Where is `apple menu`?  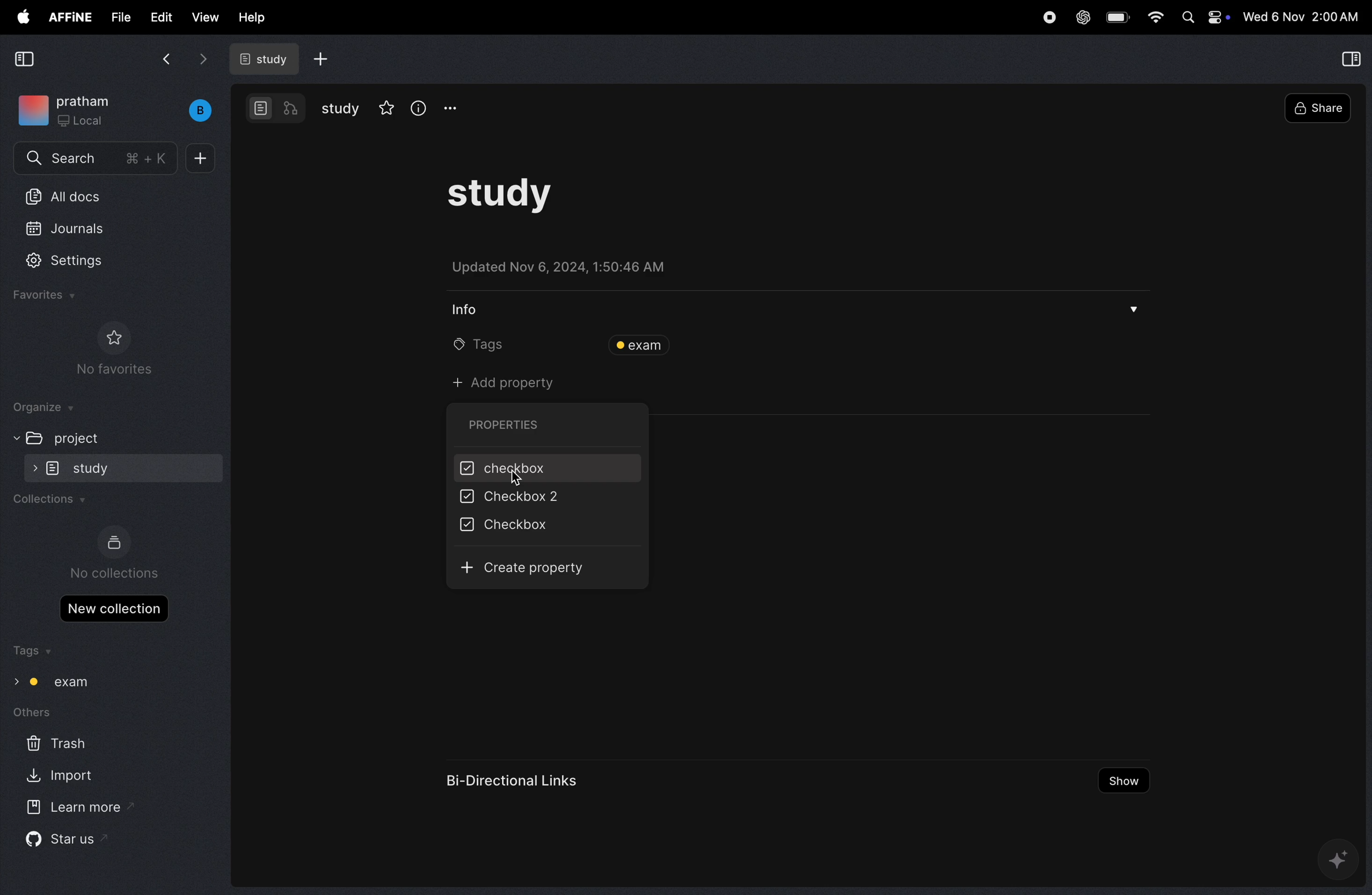
apple menu is located at coordinates (24, 18).